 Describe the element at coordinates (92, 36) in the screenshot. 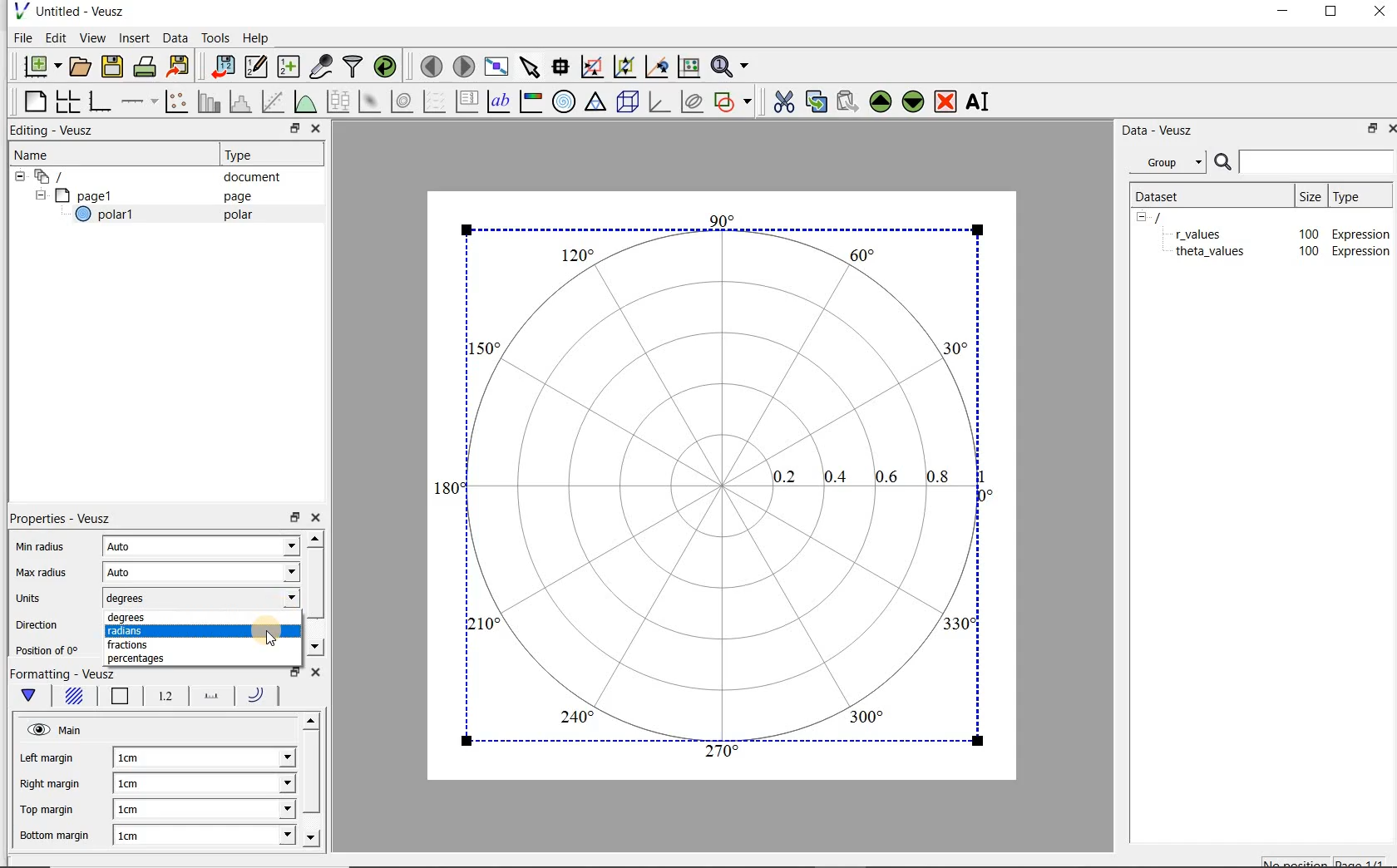

I see `View` at that location.